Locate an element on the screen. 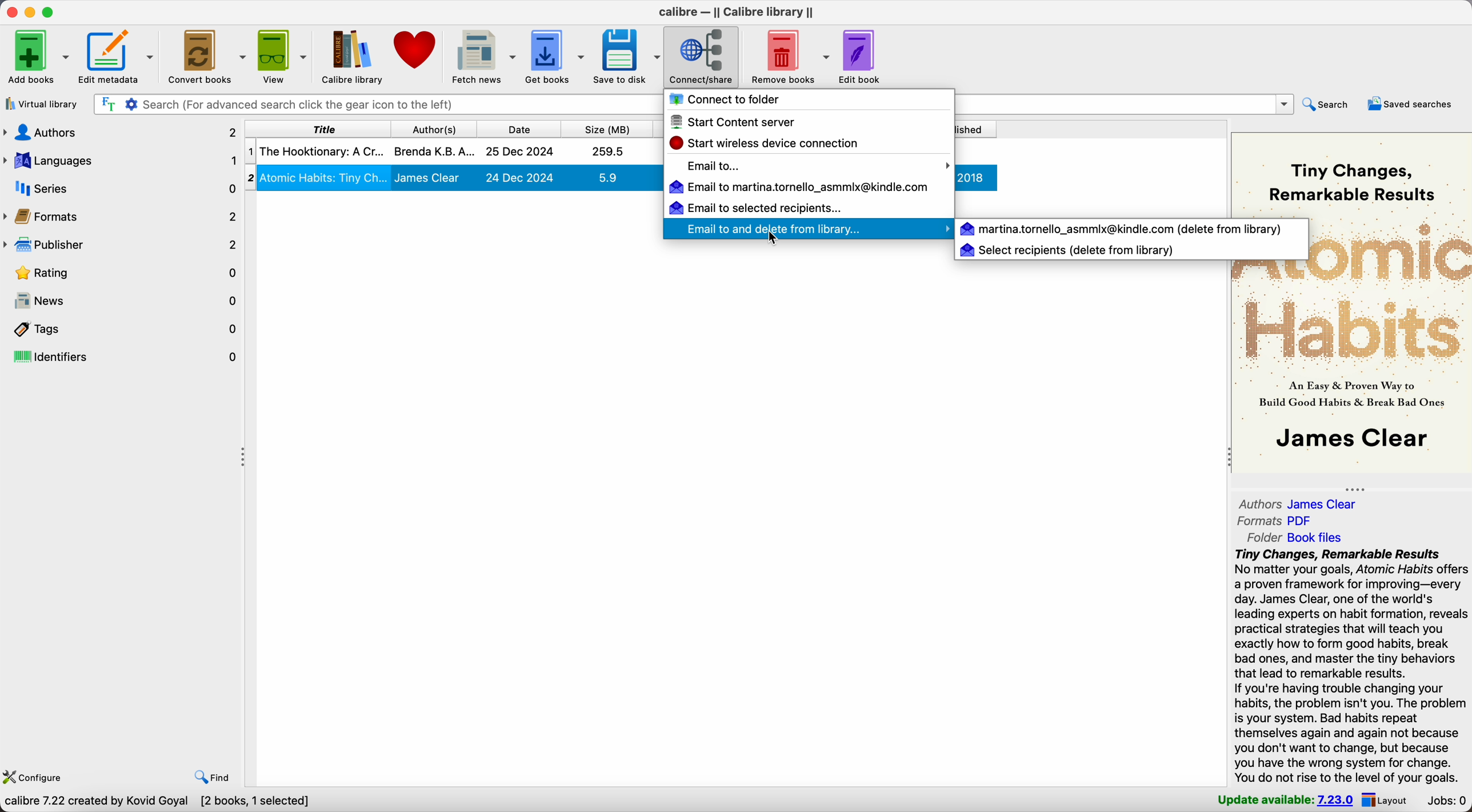 Image resolution: width=1472 pixels, height=812 pixels. news is located at coordinates (122, 301).